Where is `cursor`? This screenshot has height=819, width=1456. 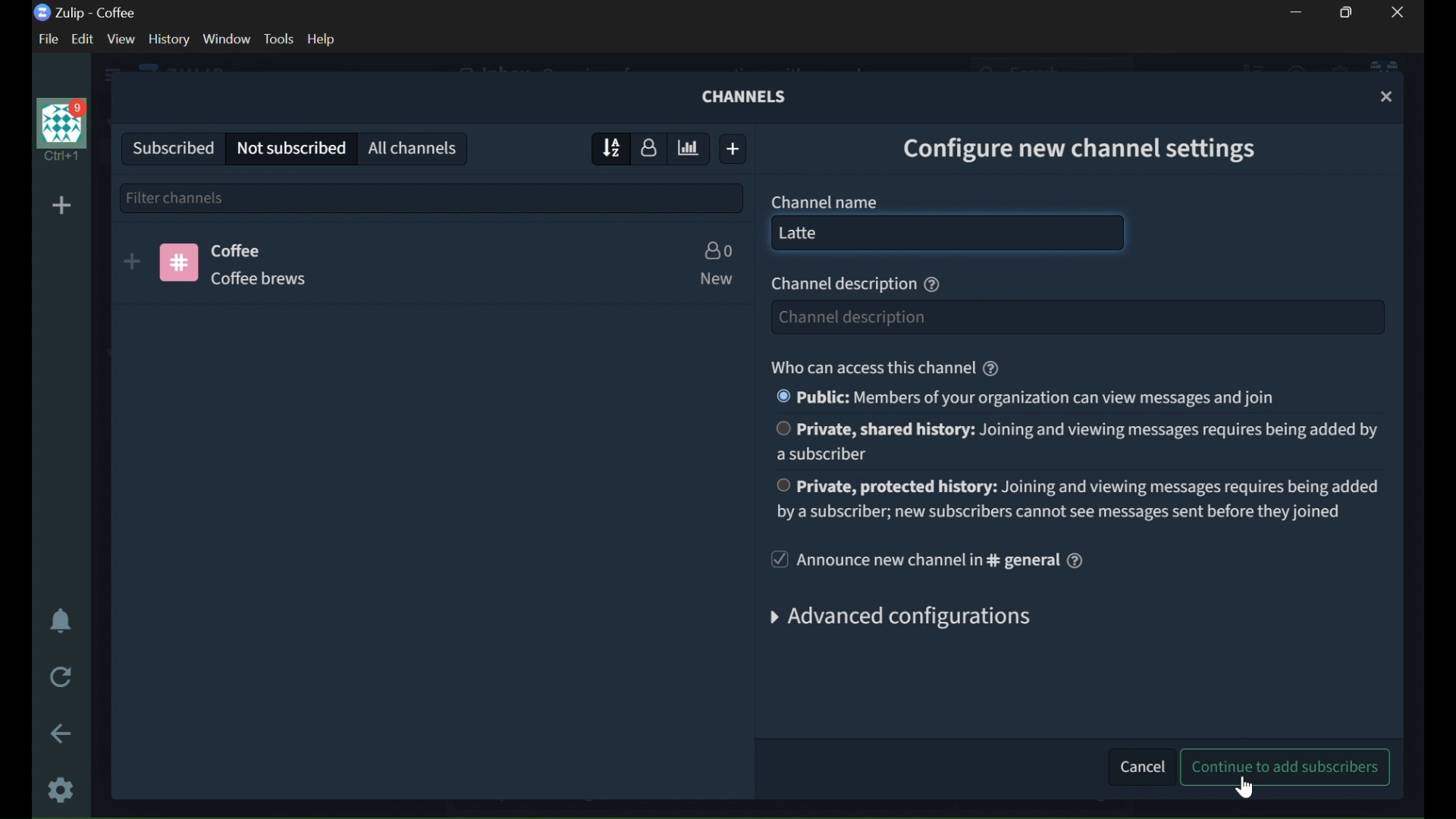 cursor is located at coordinates (1012, 237).